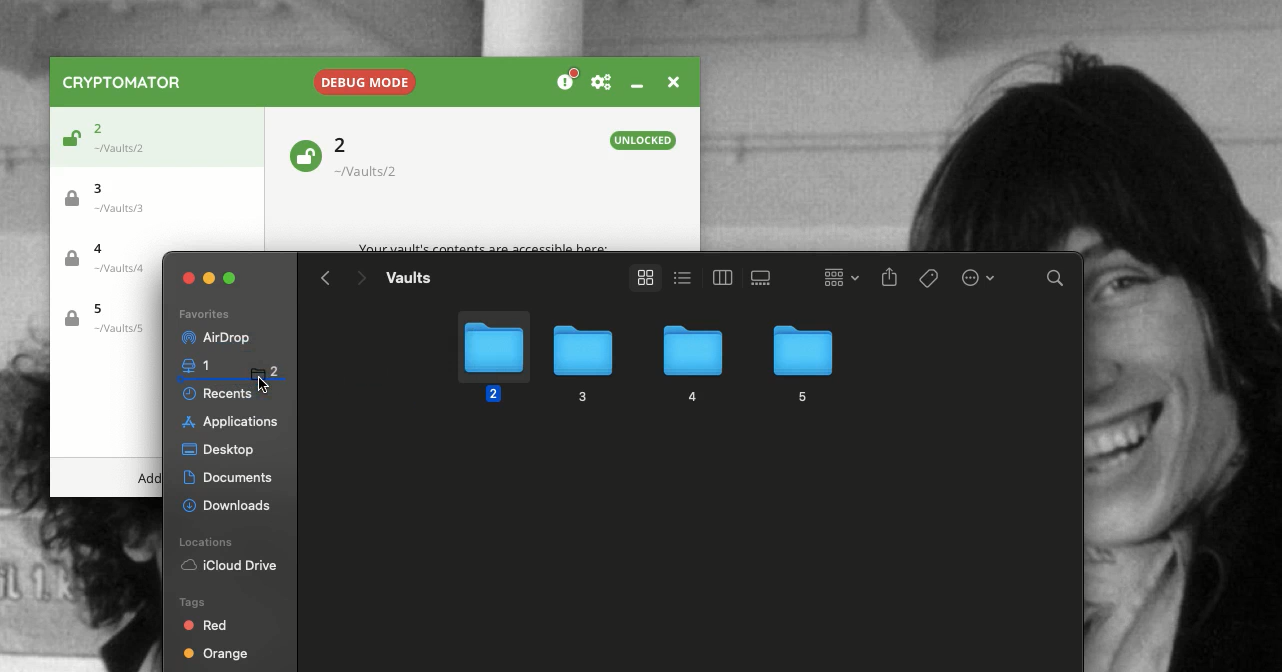 This screenshot has width=1282, height=672. Describe the element at coordinates (114, 196) in the screenshot. I see `Vault 3` at that location.